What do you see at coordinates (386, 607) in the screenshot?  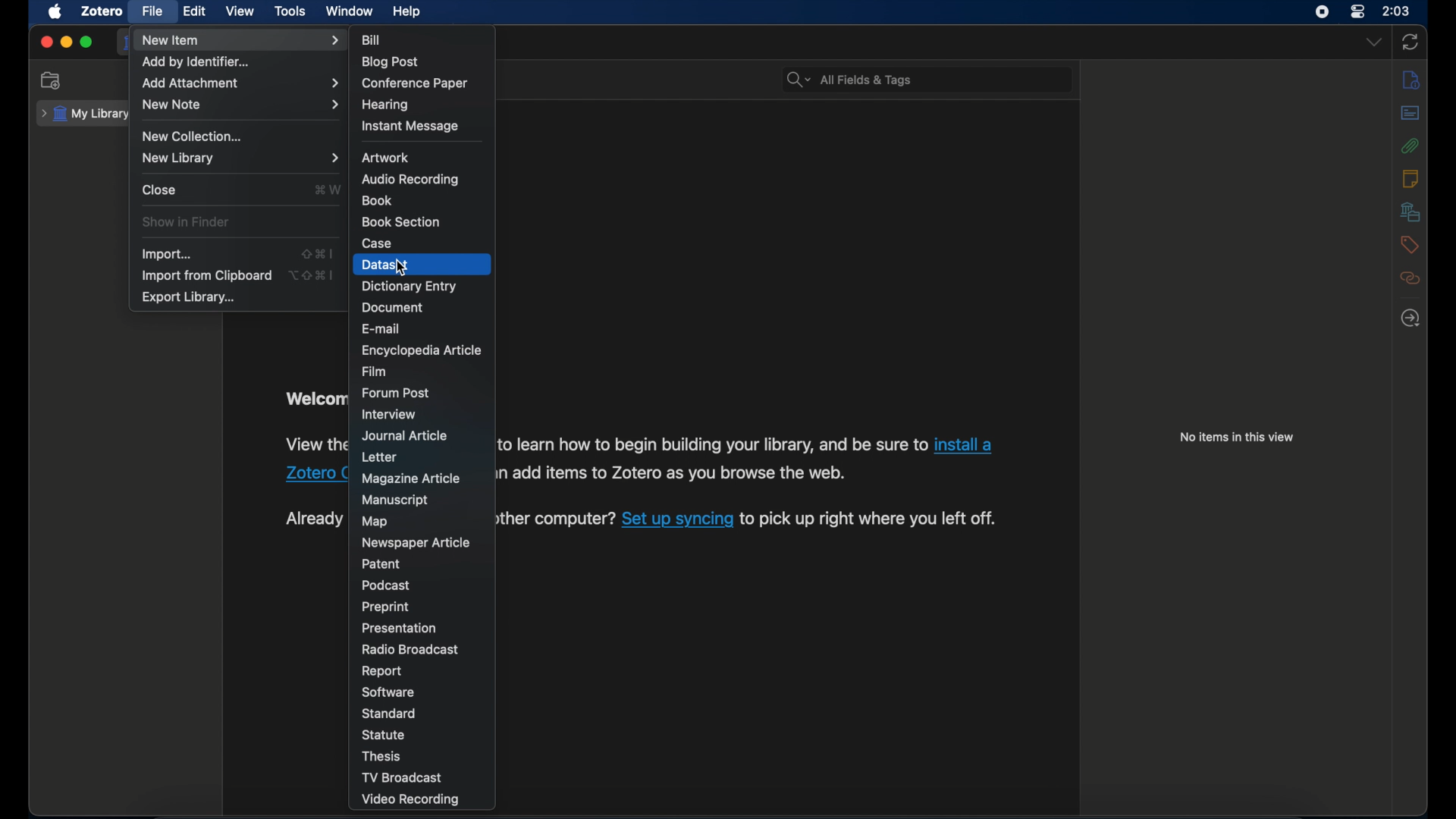 I see `preprint` at bounding box center [386, 607].